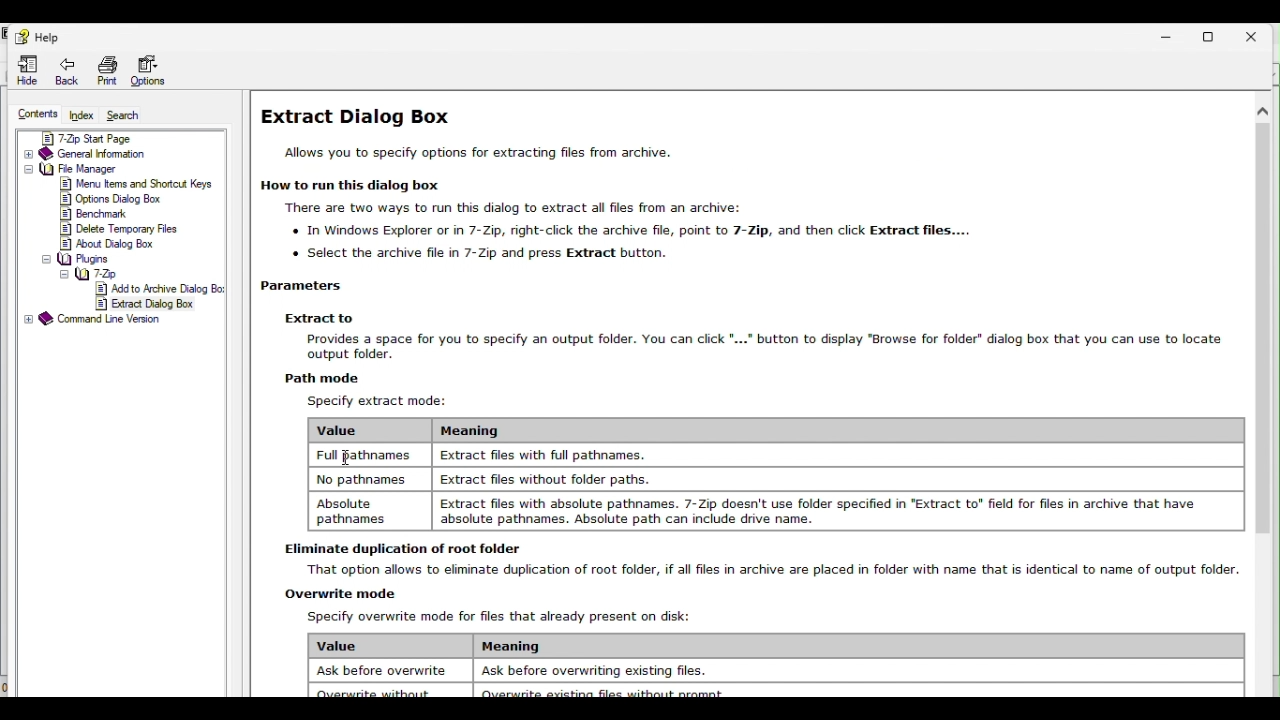  Describe the element at coordinates (139, 184) in the screenshot. I see `menu` at that location.